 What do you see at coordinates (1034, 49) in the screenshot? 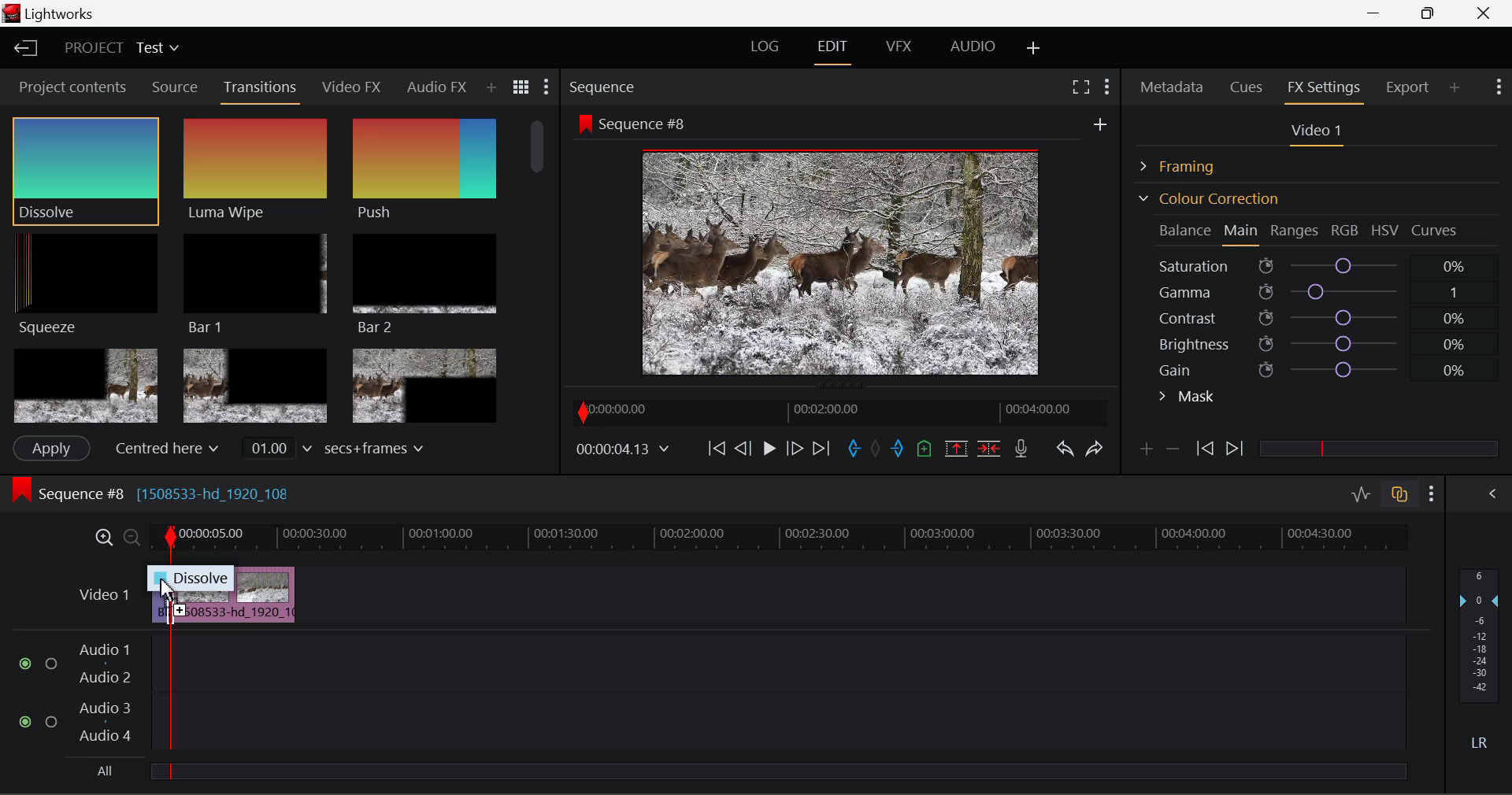
I see `Add Layout` at bounding box center [1034, 49].